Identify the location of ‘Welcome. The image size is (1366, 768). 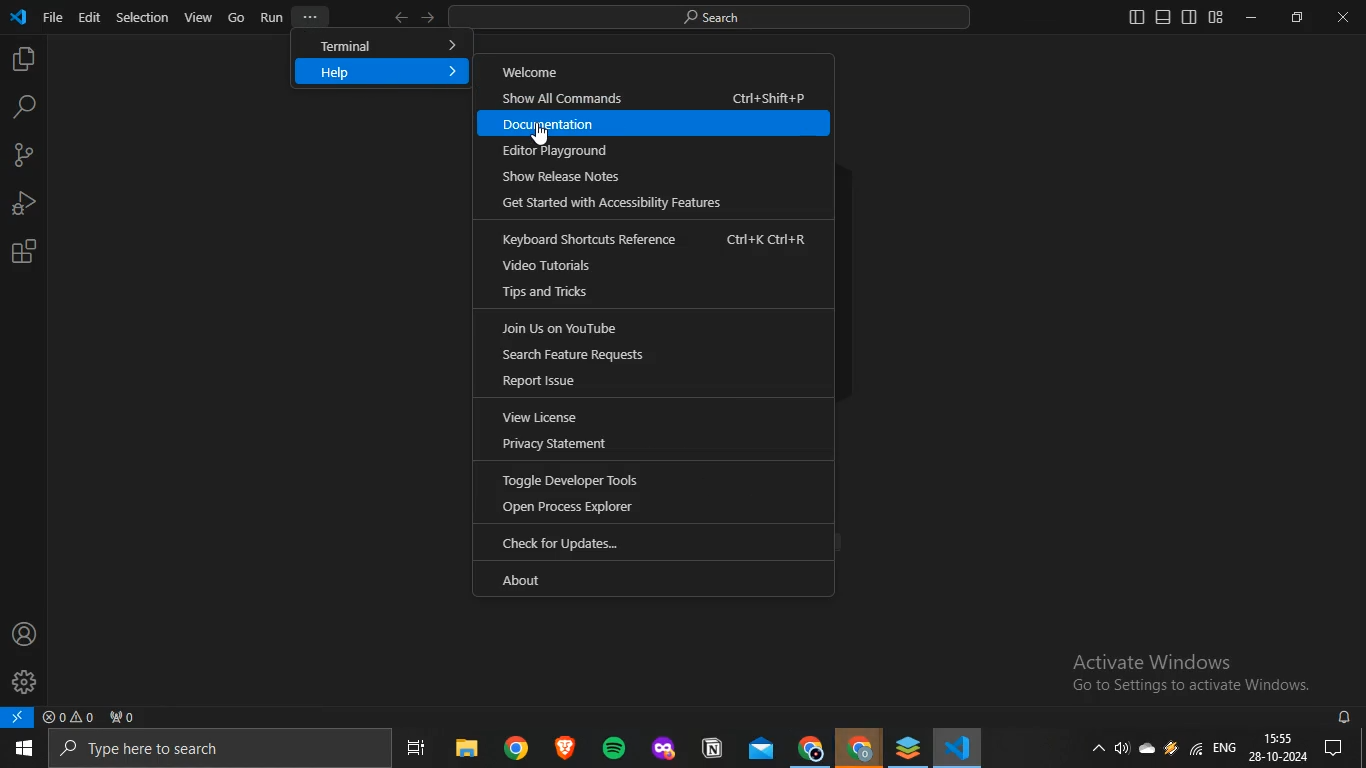
(657, 69).